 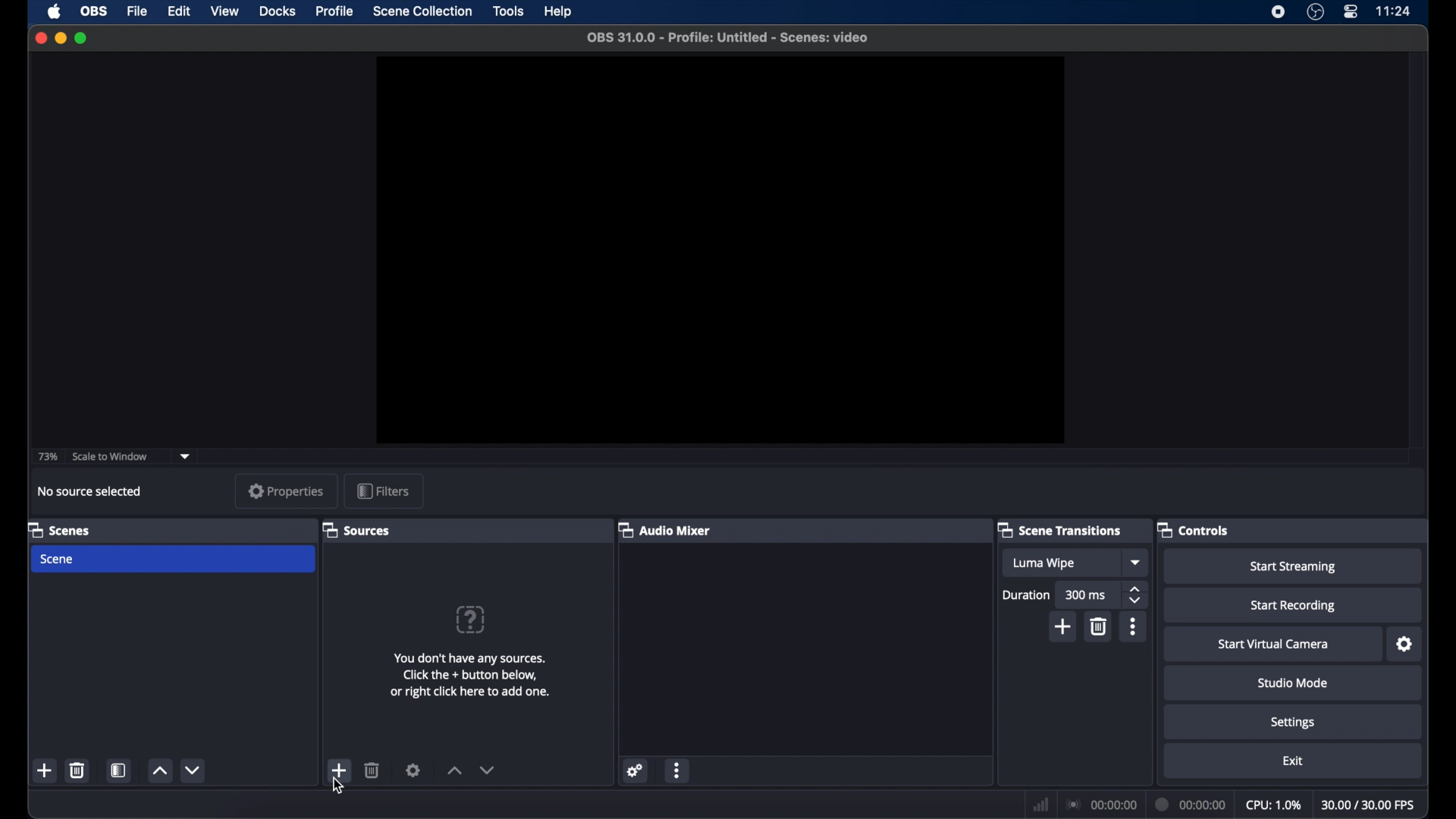 I want to click on preview, so click(x=720, y=250).